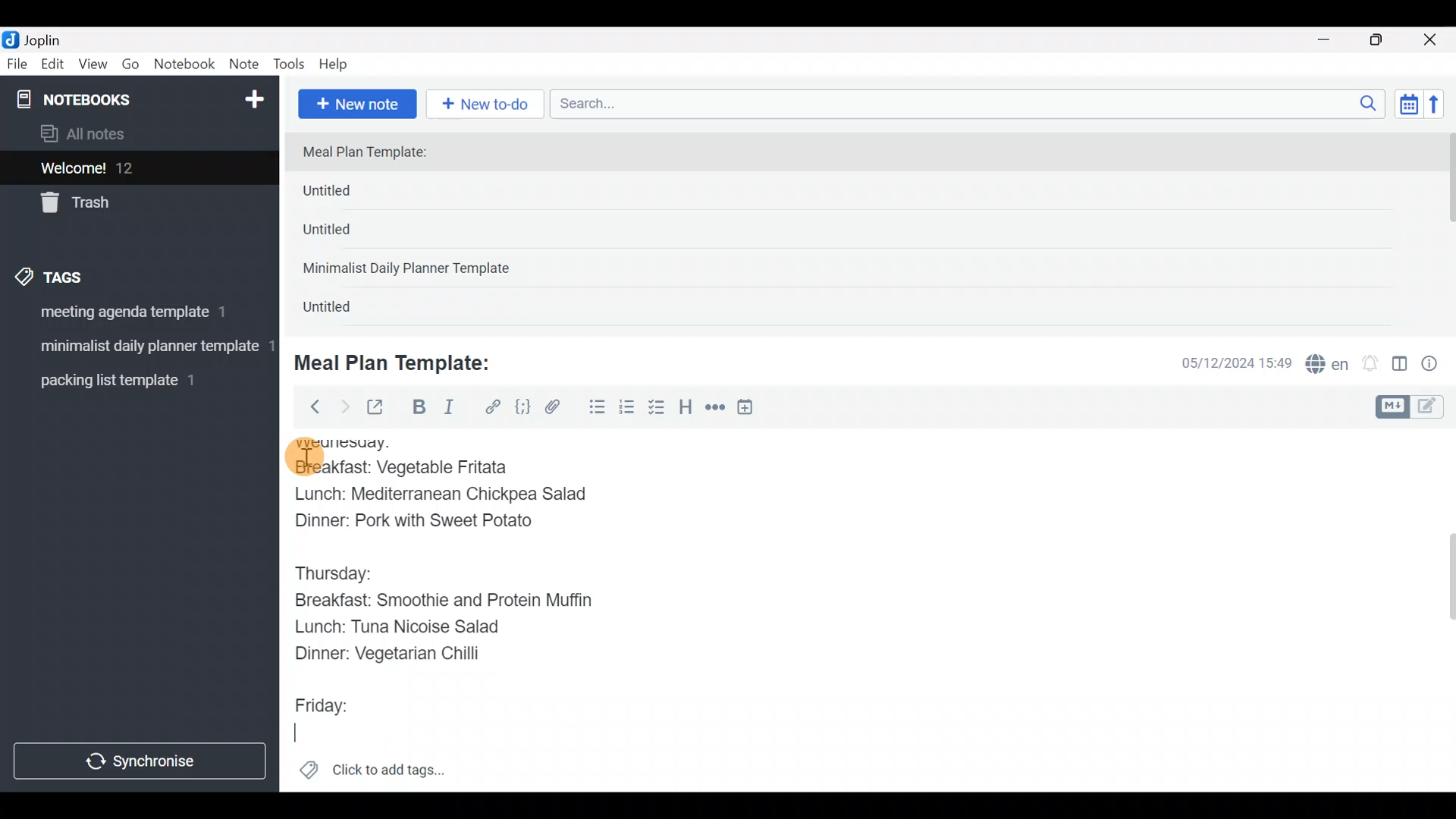  What do you see at coordinates (130, 67) in the screenshot?
I see `Go` at bounding box center [130, 67].